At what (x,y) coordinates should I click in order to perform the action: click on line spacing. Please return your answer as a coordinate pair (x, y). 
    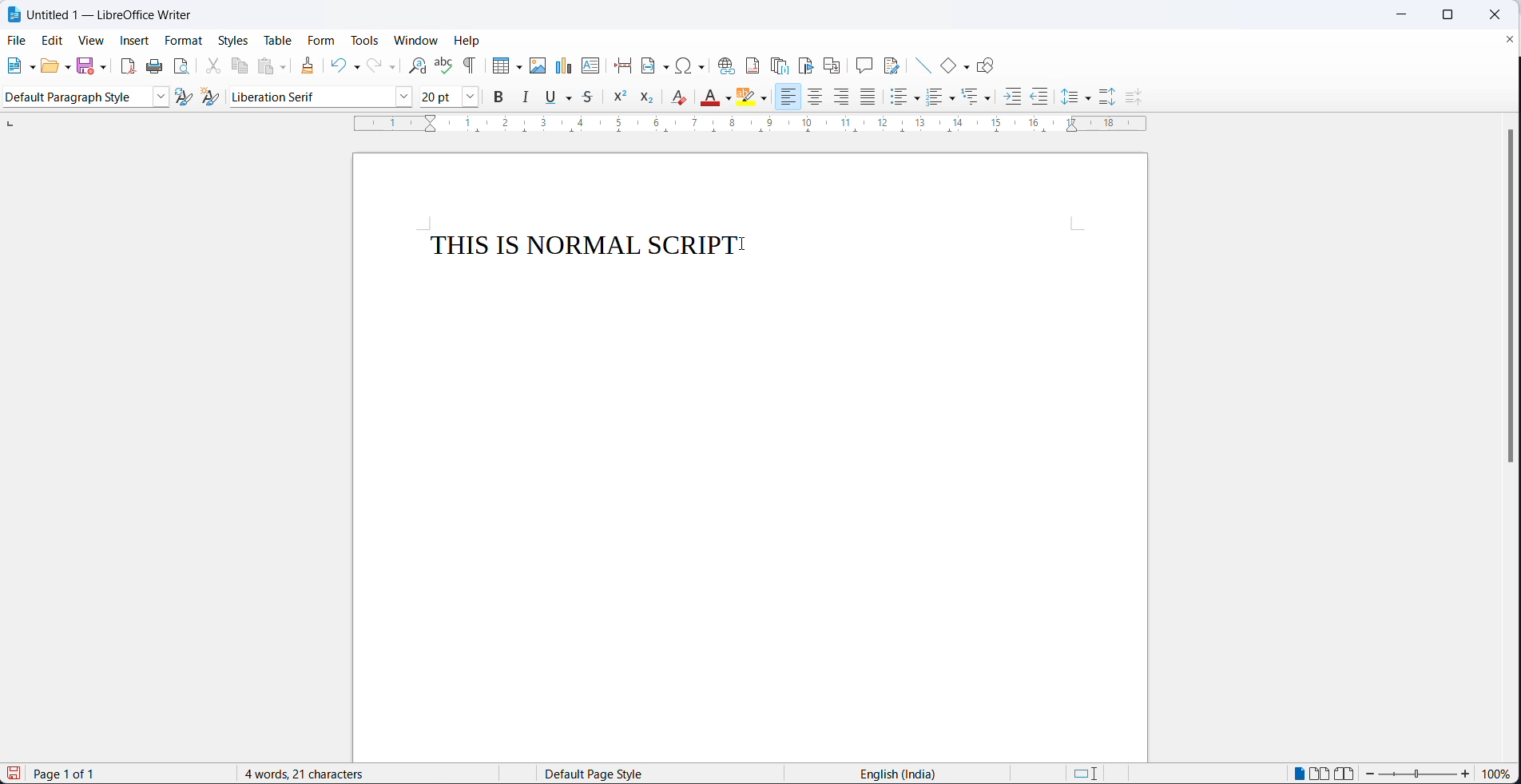
    Looking at the image, I should click on (1068, 97).